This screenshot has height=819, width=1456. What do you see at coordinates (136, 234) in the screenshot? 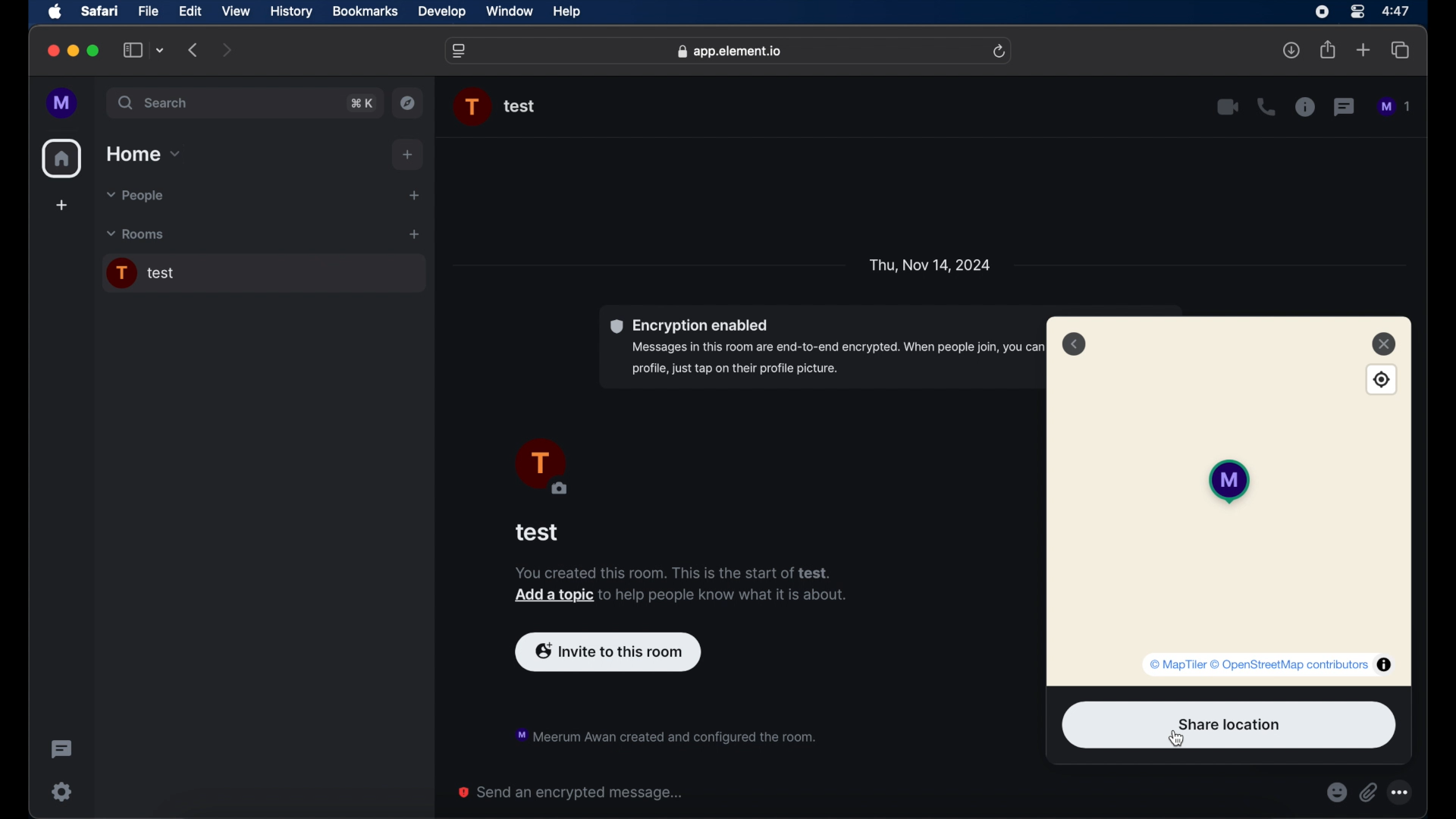
I see `rooms dropdown` at bounding box center [136, 234].